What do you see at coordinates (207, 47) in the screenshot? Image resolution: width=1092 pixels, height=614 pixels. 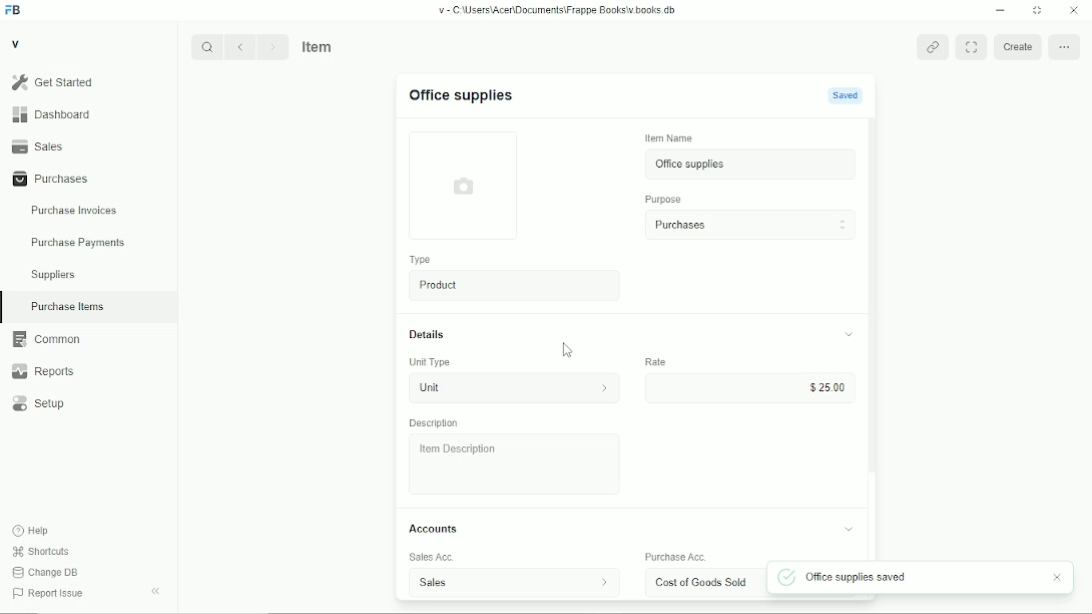 I see `Search` at bounding box center [207, 47].